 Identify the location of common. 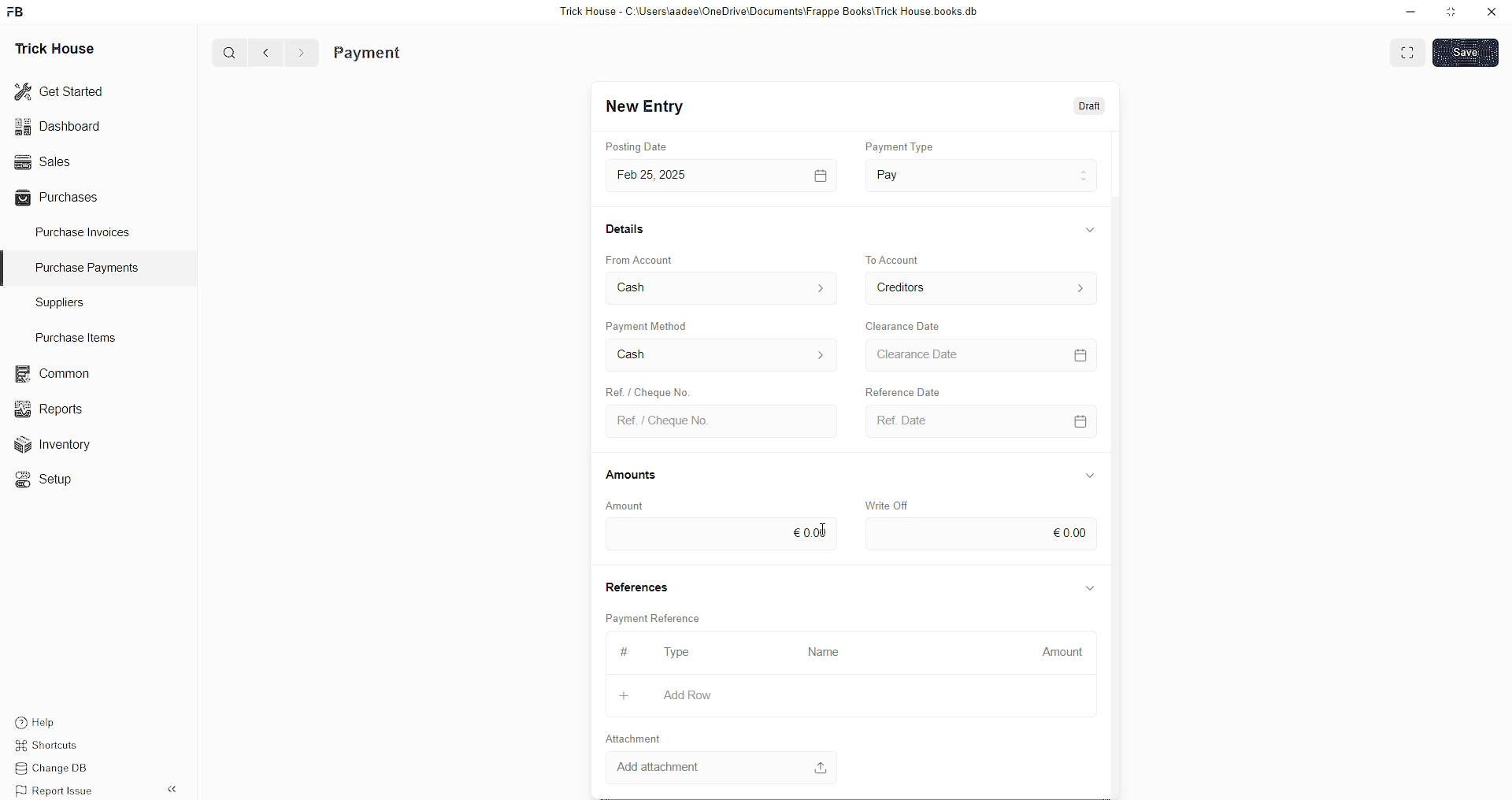
(55, 374).